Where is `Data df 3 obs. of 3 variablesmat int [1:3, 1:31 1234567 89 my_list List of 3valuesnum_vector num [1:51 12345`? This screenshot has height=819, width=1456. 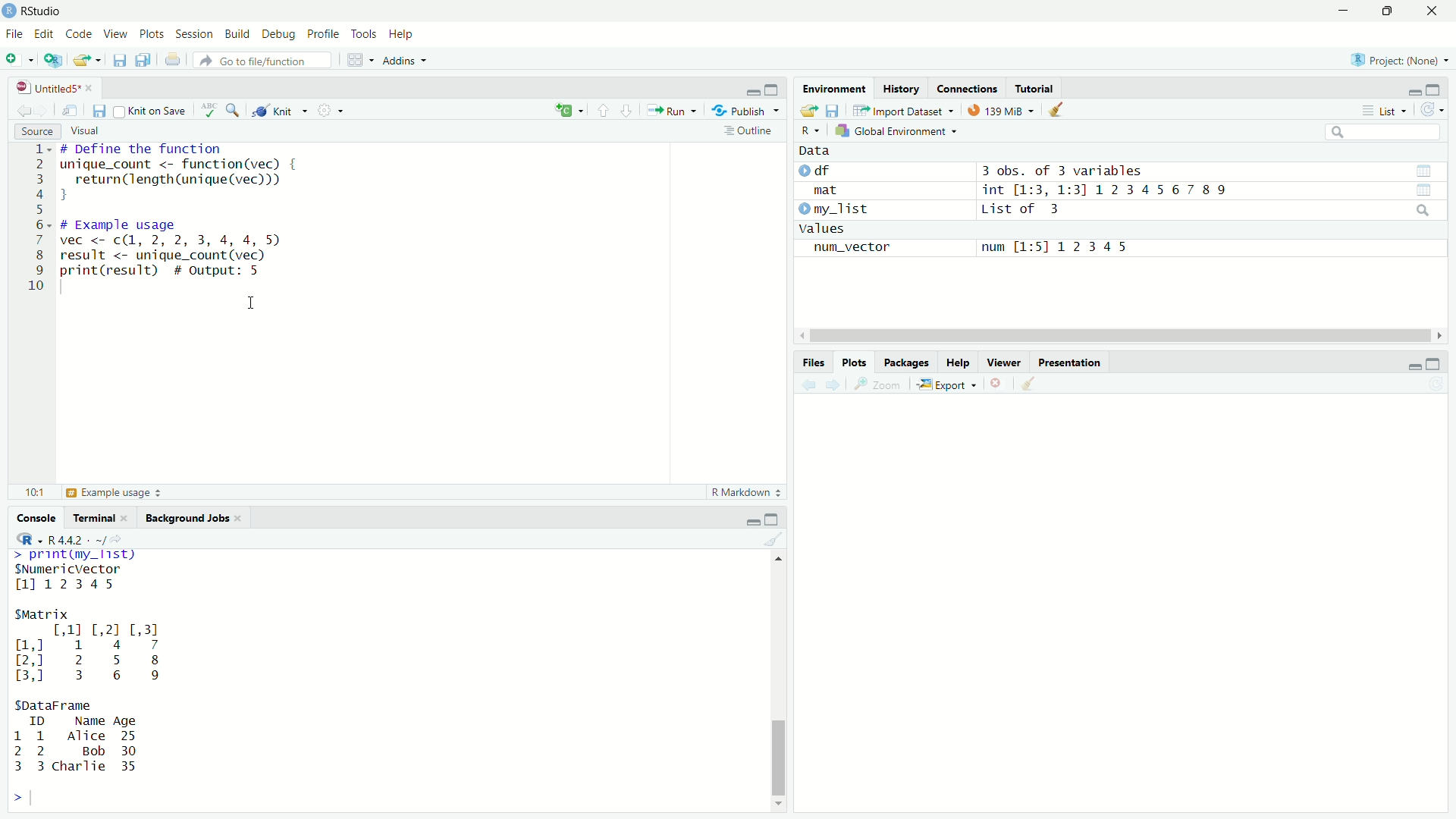
Data df 3 obs. of 3 variablesmat int [1:3, 1:31 1234567 89 my_list List of 3valuesnum_vector num [1:51 12345 is located at coordinates (1017, 205).